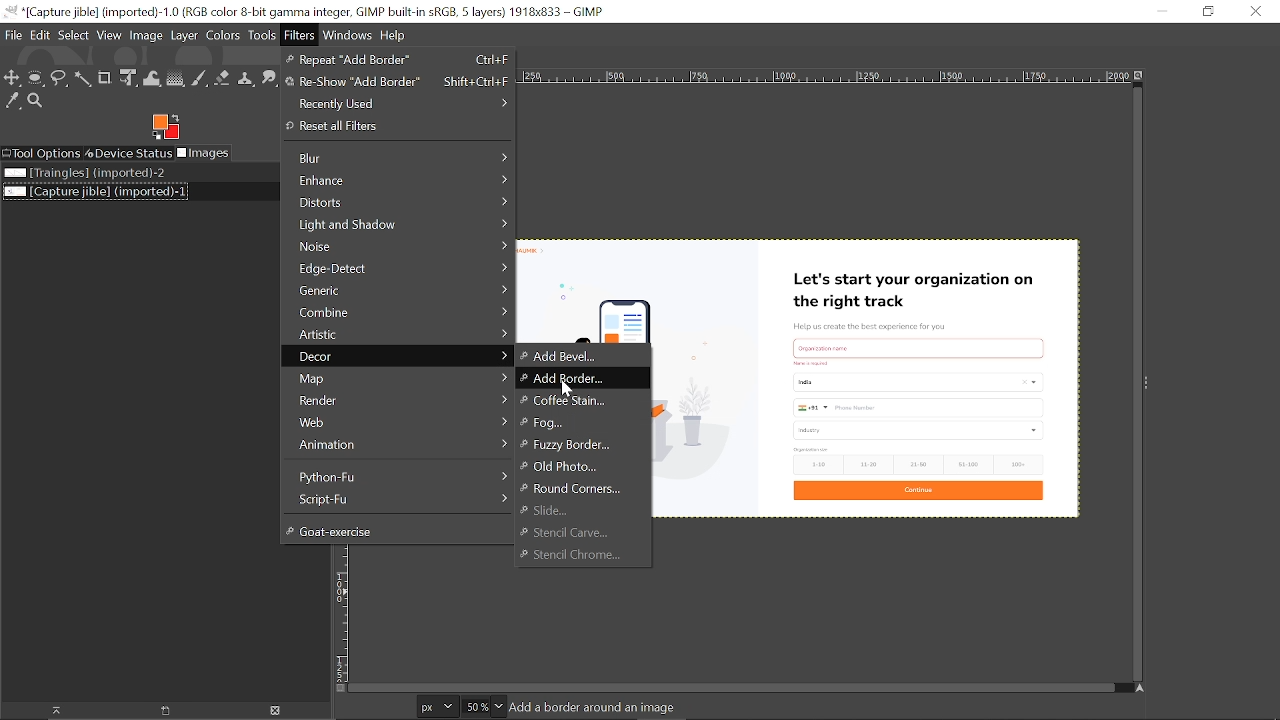  Describe the element at coordinates (499, 708) in the screenshot. I see `Zoom options` at that location.